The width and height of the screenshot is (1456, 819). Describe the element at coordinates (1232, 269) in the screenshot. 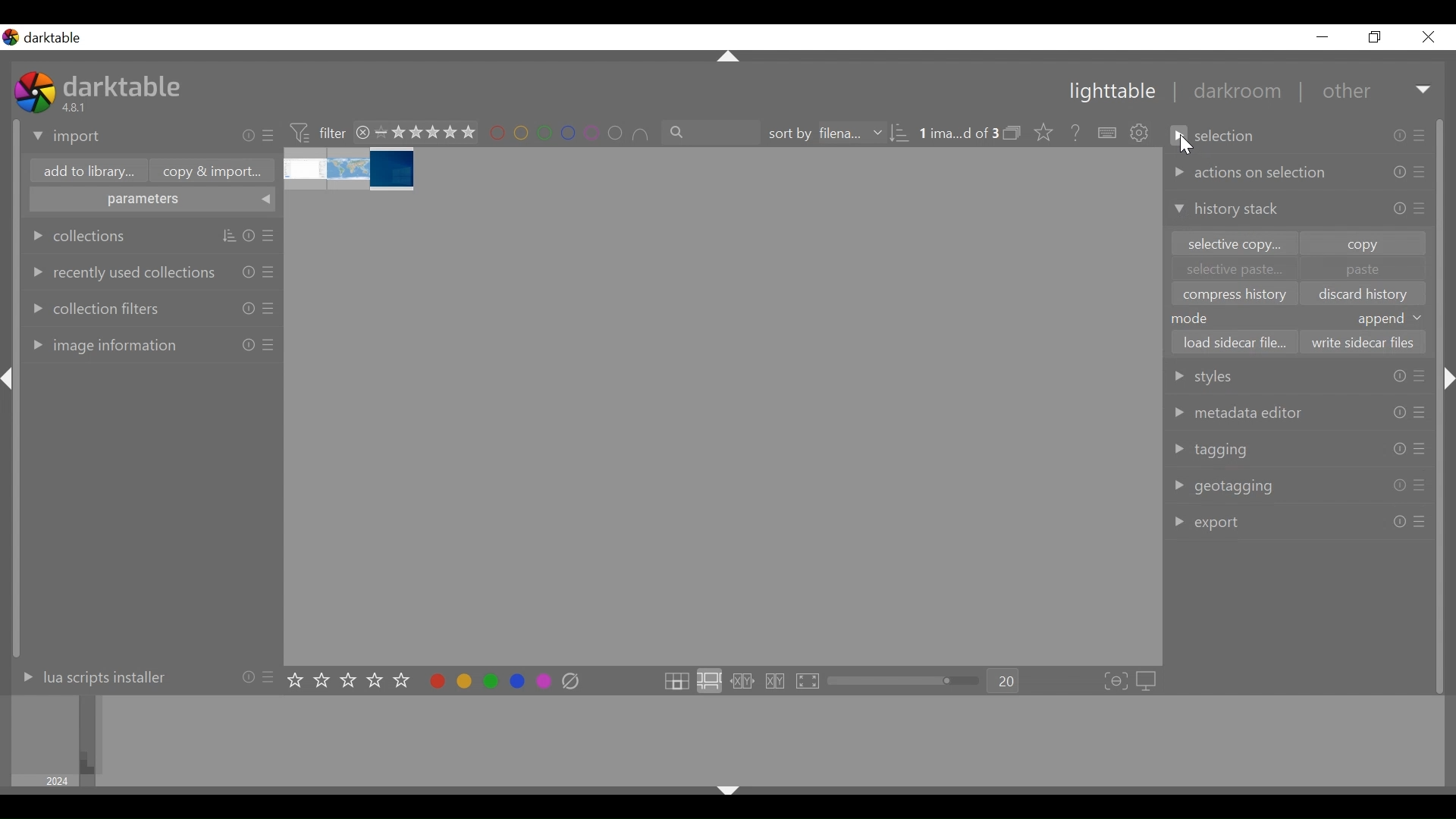

I see `selective paste` at that location.